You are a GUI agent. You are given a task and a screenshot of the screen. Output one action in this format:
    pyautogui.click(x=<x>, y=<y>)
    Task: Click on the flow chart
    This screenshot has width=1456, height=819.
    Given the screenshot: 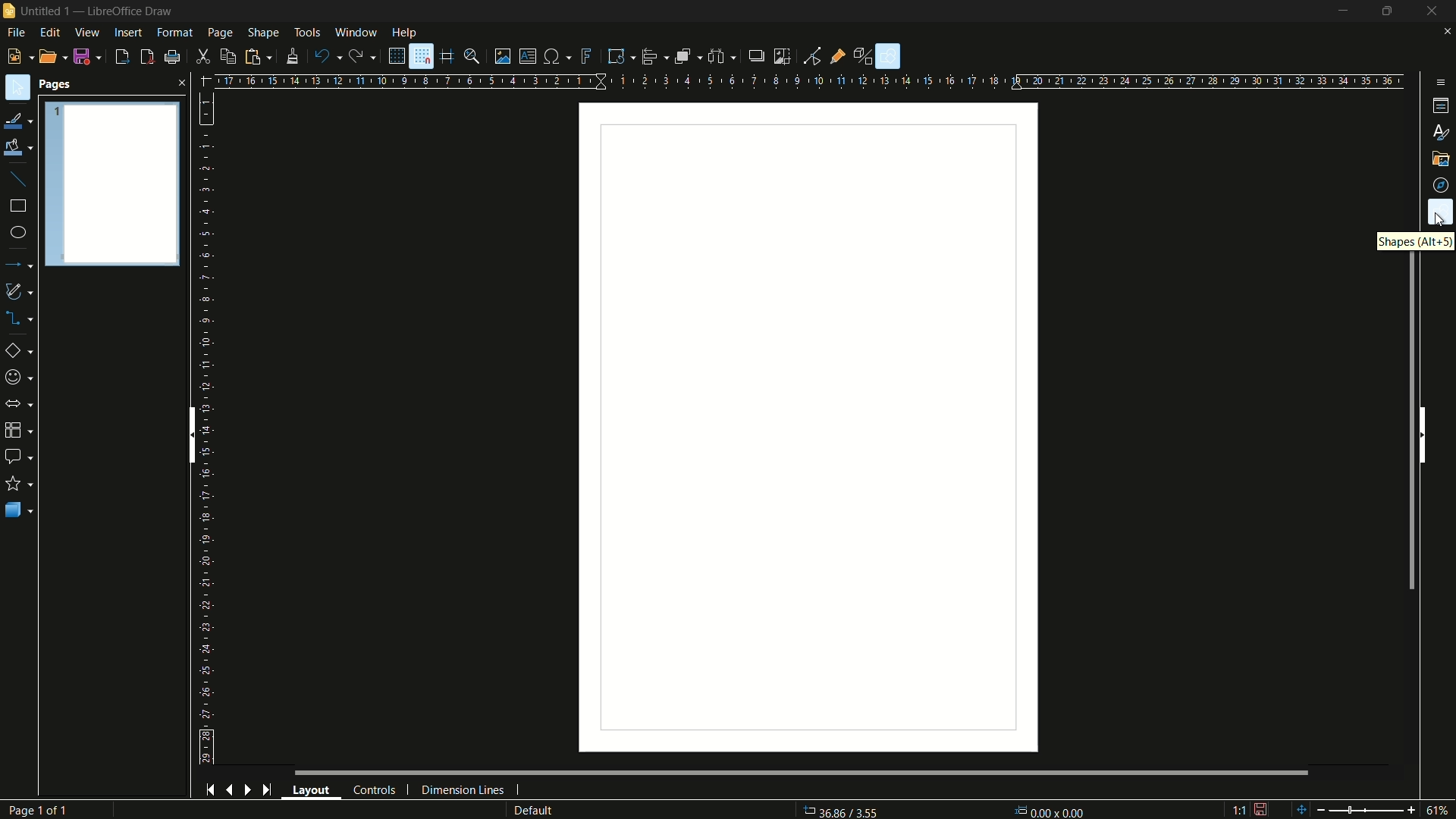 What is the action you would take?
    pyautogui.click(x=22, y=430)
    